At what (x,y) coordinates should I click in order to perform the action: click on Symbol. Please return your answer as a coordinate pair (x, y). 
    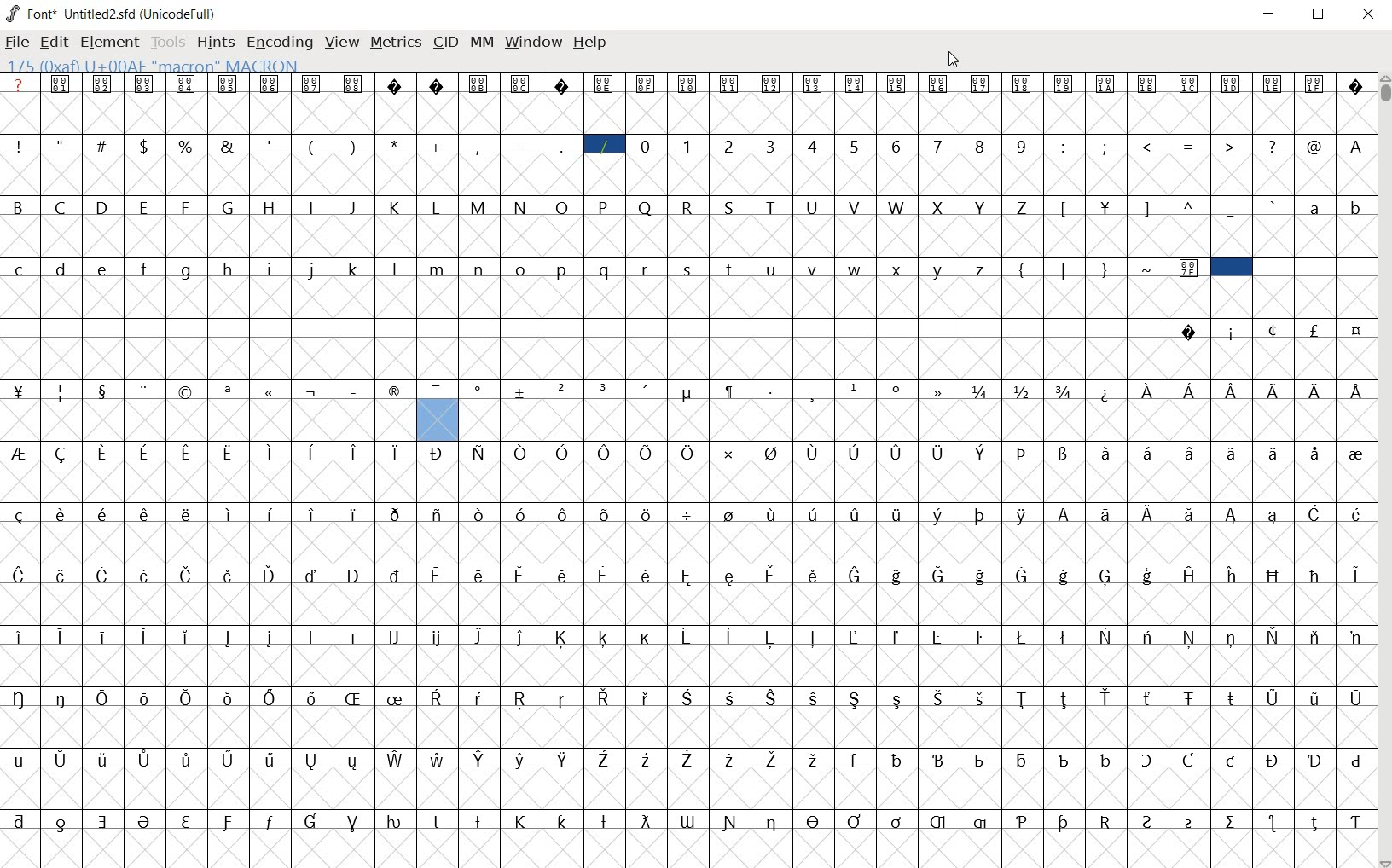
    Looking at the image, I should click on (981, 453).